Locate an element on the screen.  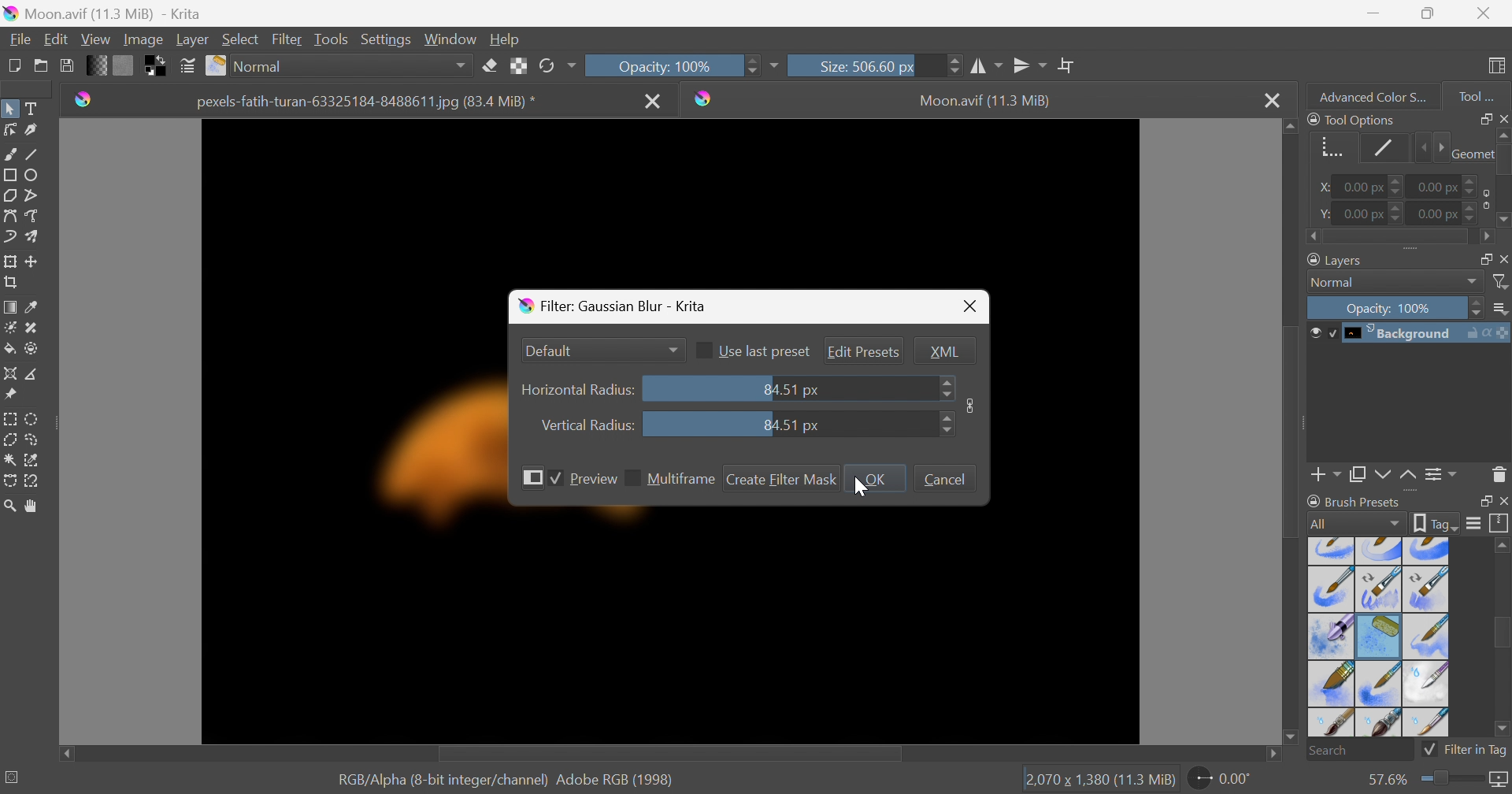
Moon.avif (11.3 MiB) is located at coordinates (986, 102).